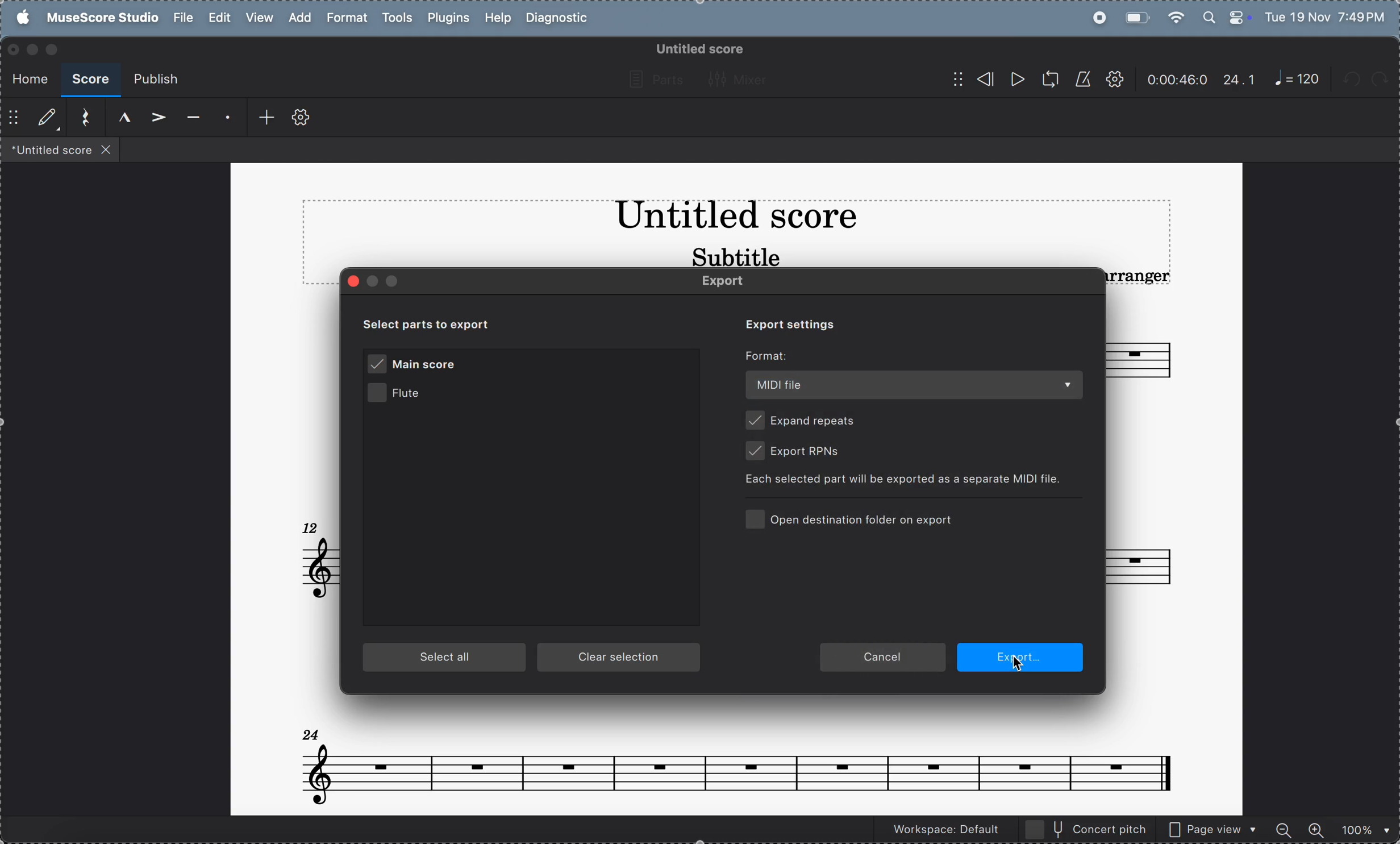 This screenshot has height=844, width=1400. Describe the element at coordinates (397, 19) in the screenshot. I see `tools` at that location.